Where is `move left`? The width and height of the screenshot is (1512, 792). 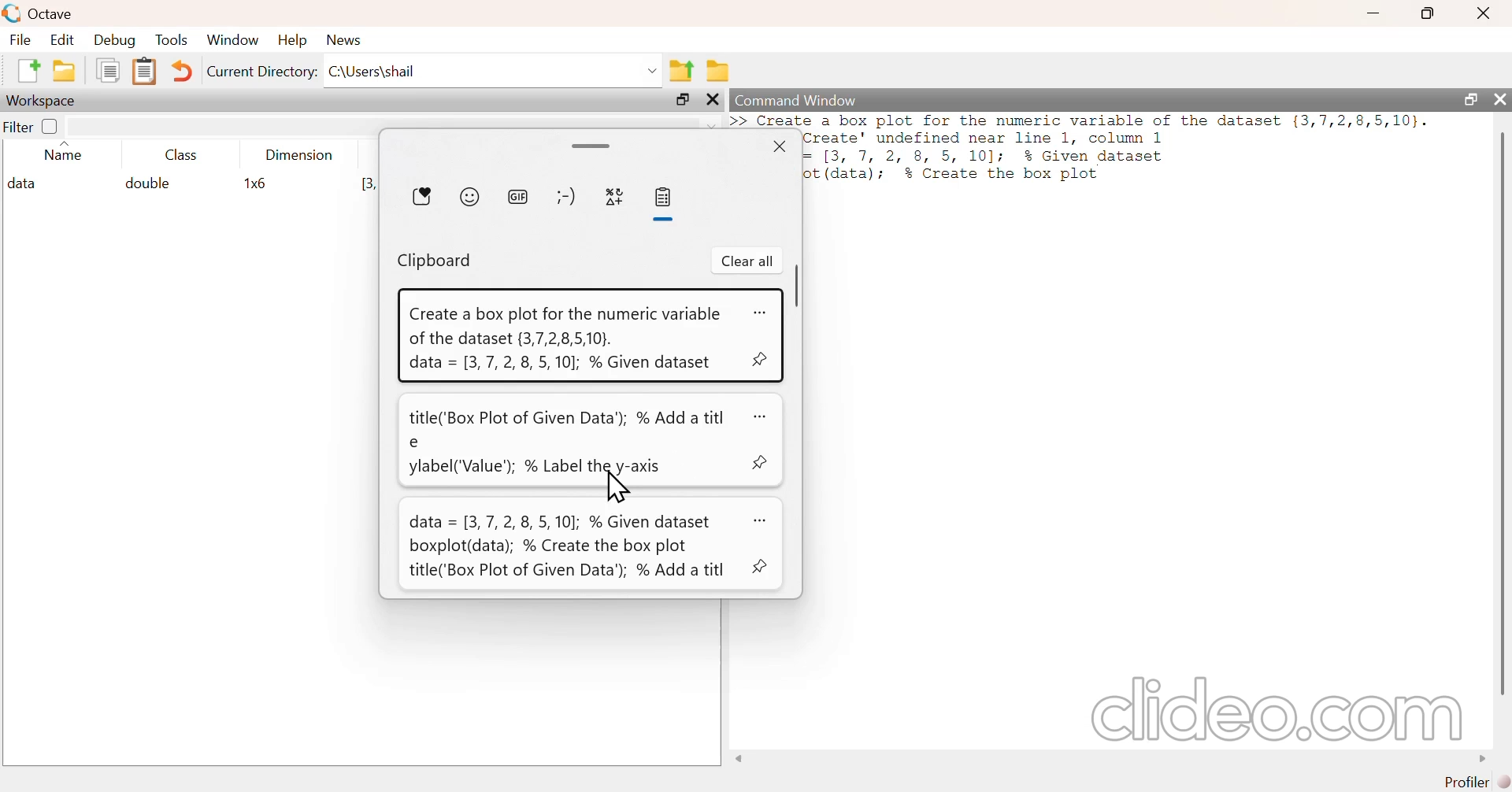
move left is located at coordinates (742, 758).